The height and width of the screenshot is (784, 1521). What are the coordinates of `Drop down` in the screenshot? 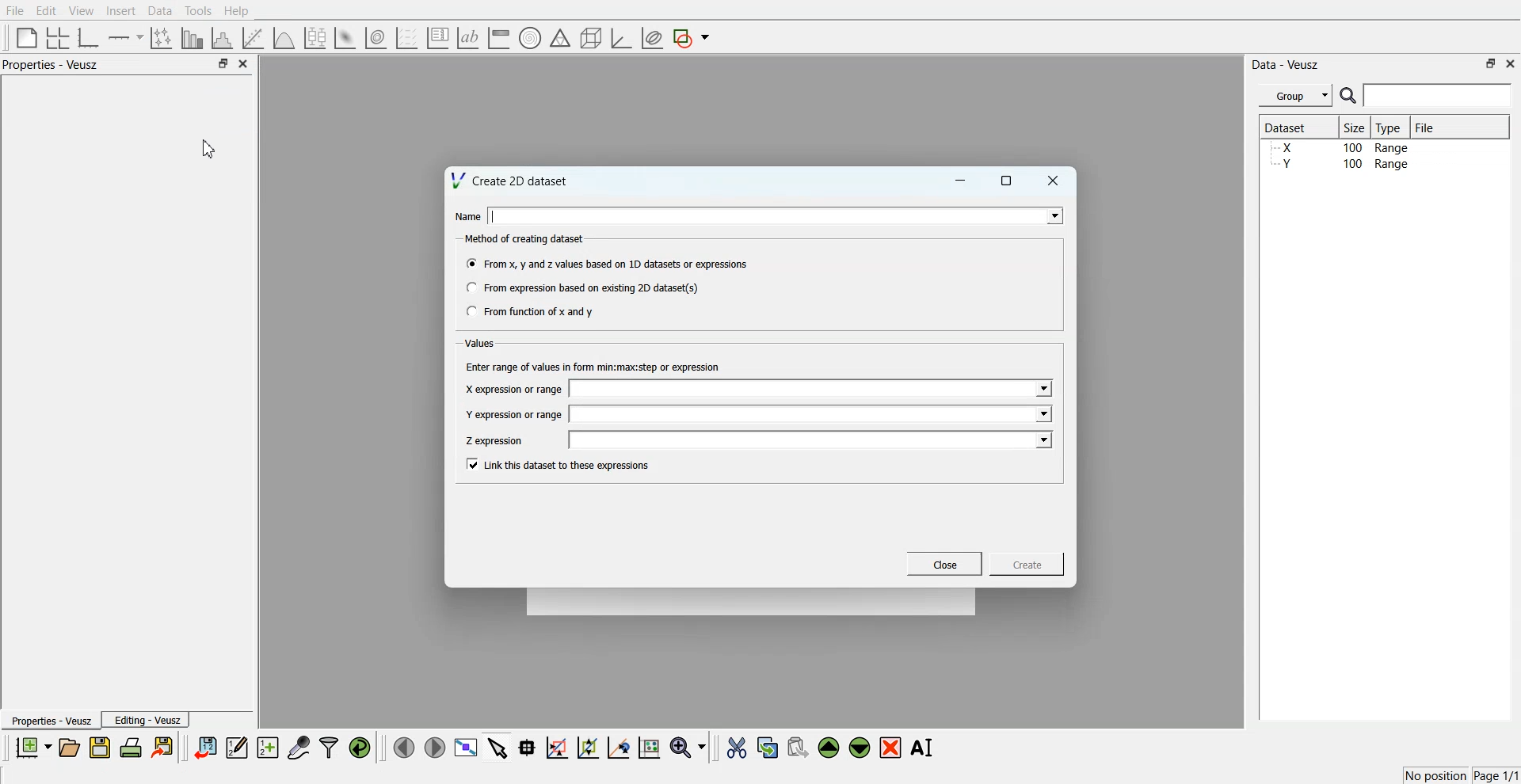 It's located at (1042, 390).